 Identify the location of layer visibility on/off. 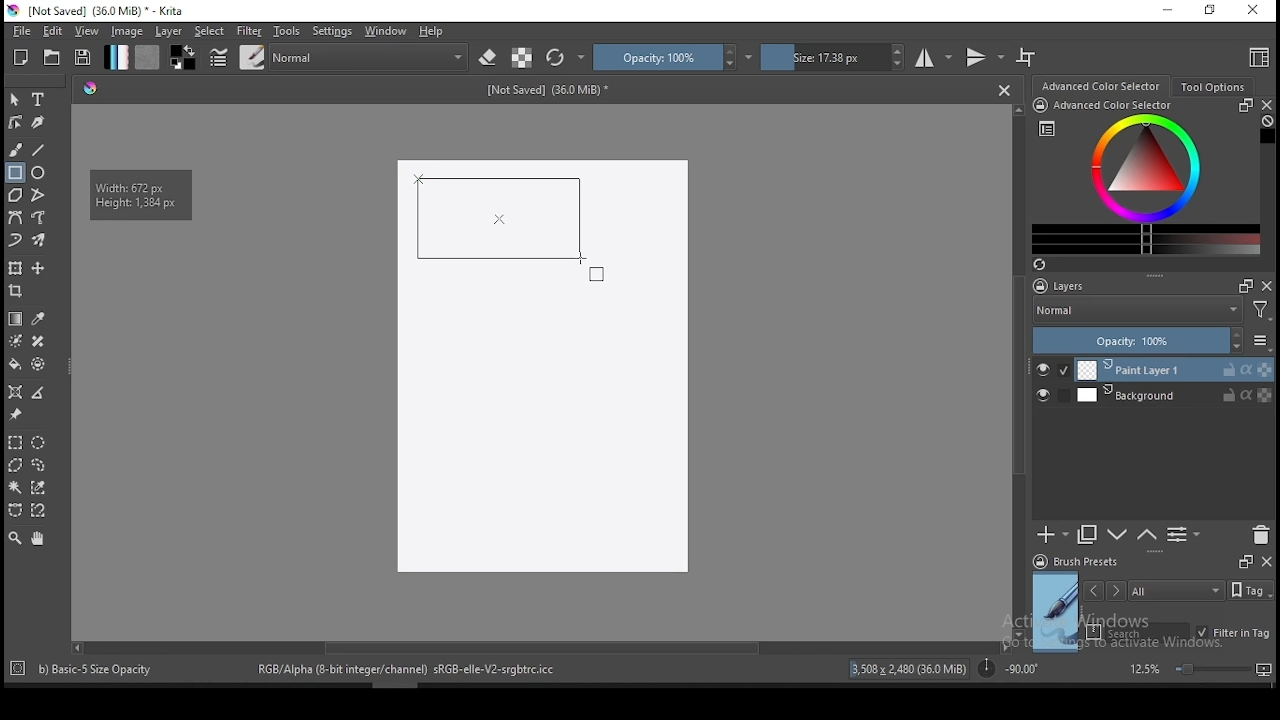
(1048, 397).